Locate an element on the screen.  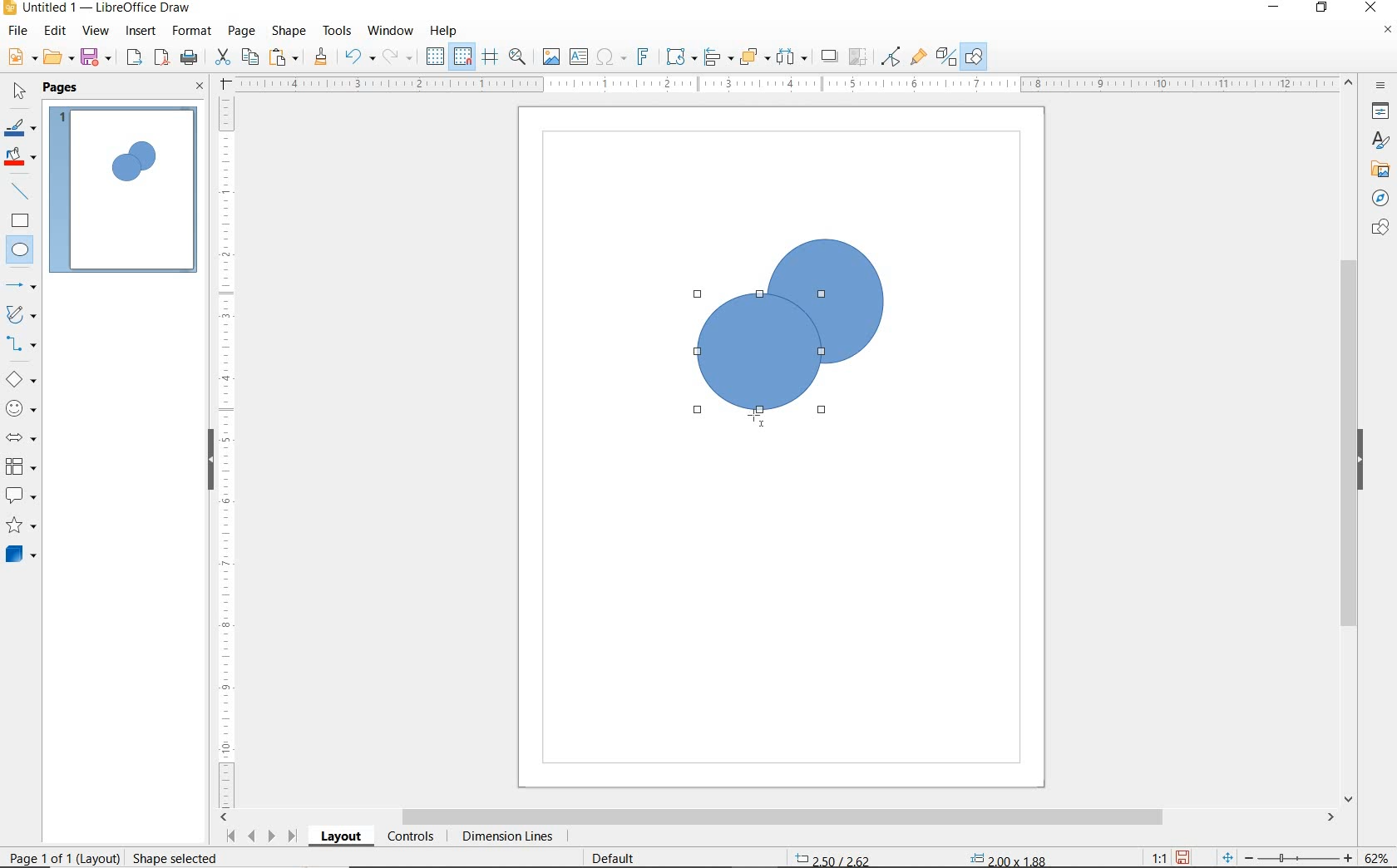
CLOSE is located at coordinates (1370, 6).